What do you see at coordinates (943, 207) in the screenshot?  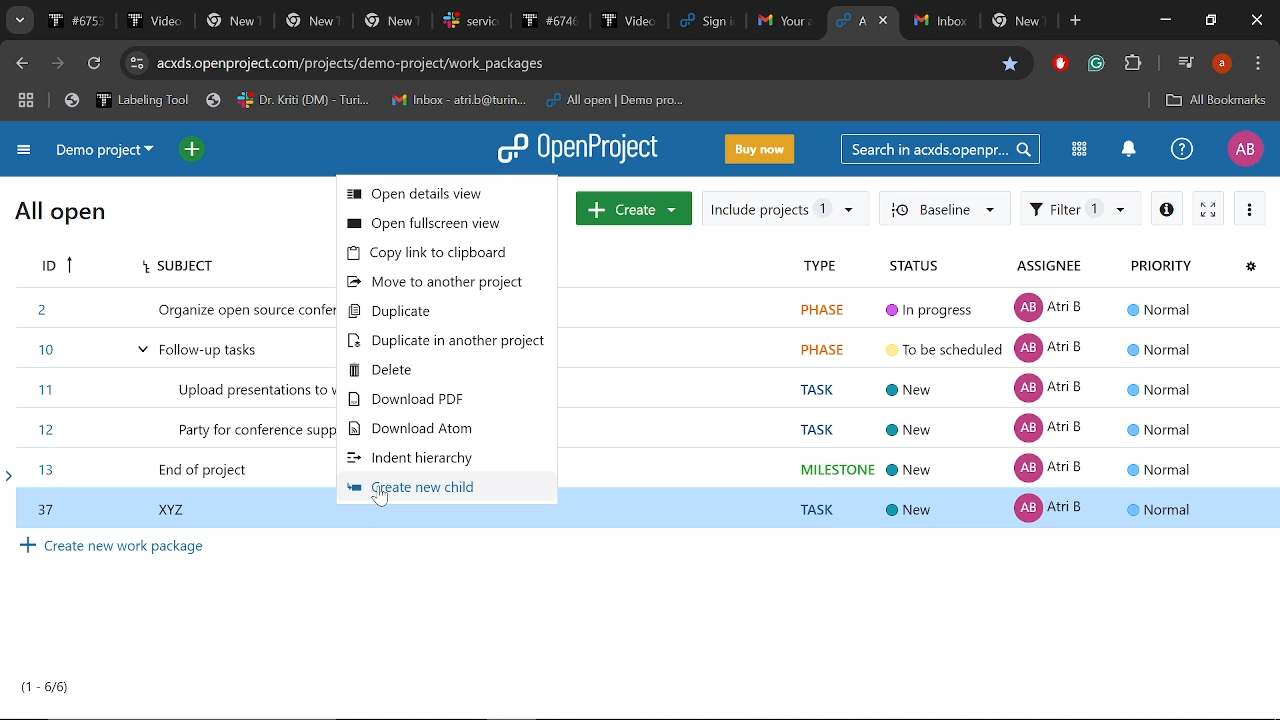 I see `Baseline` at bounding box center [943, 207].